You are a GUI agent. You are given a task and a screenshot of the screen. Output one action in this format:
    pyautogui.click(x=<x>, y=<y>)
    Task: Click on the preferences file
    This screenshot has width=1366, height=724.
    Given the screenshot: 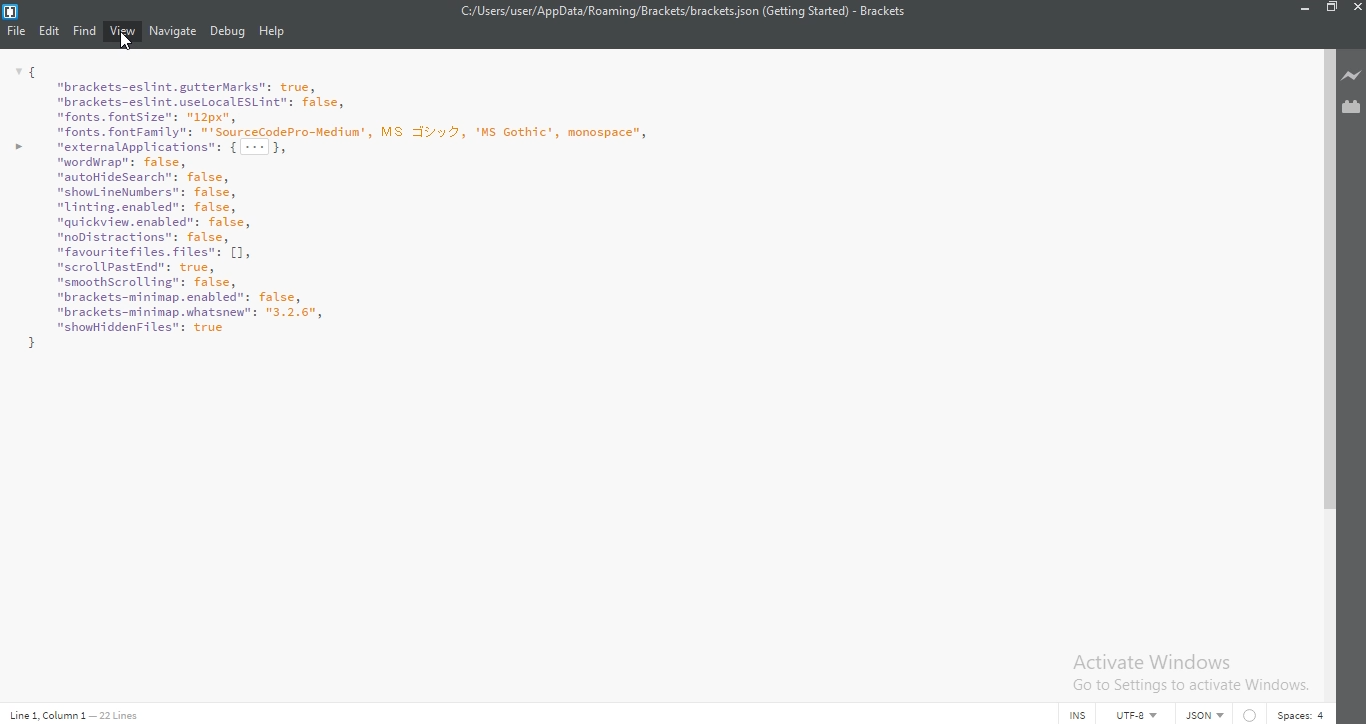 What is the action you would take?
    pyautogui.click(x=344, y=222)
    